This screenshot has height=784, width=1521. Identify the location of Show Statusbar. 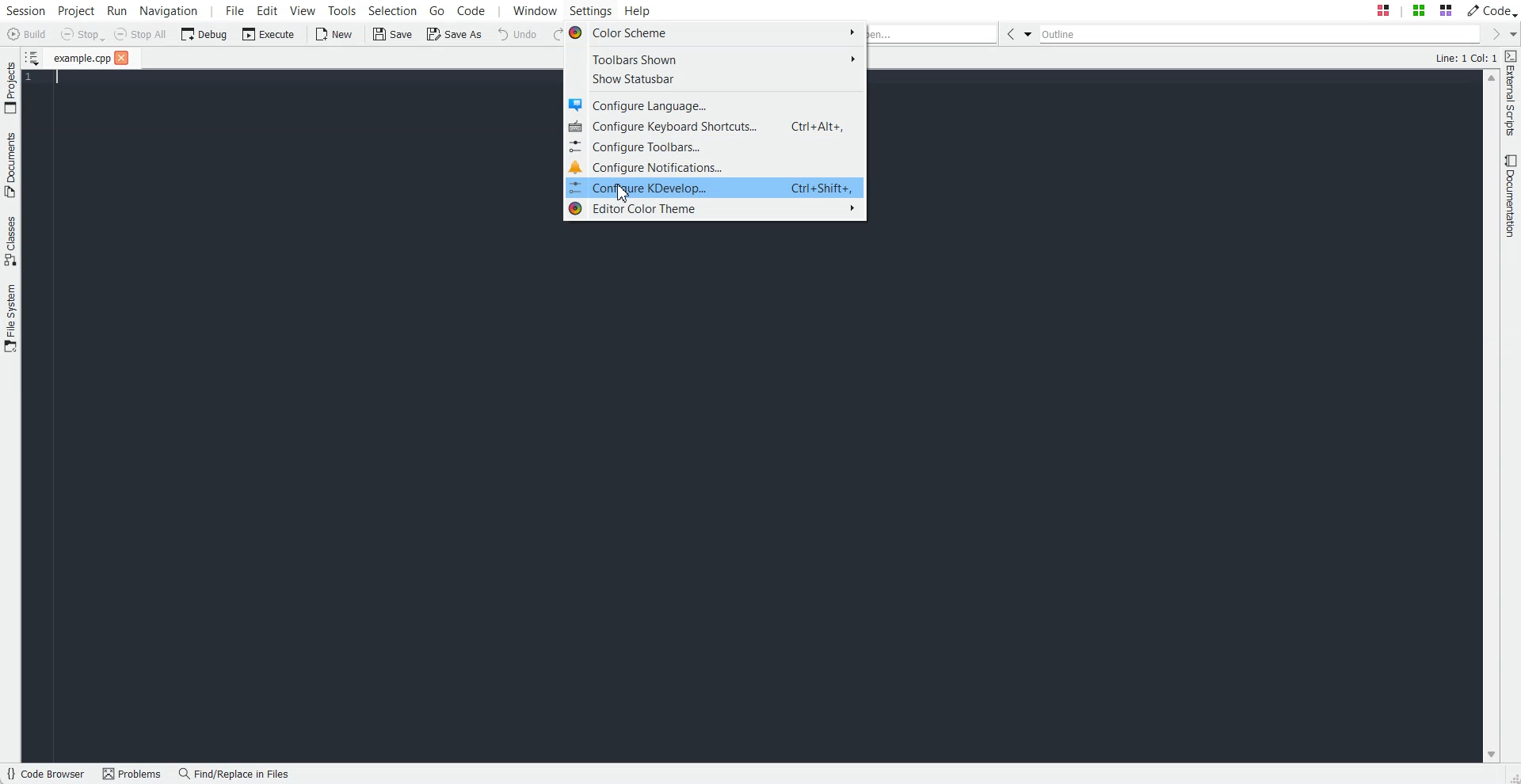
(715, 80).